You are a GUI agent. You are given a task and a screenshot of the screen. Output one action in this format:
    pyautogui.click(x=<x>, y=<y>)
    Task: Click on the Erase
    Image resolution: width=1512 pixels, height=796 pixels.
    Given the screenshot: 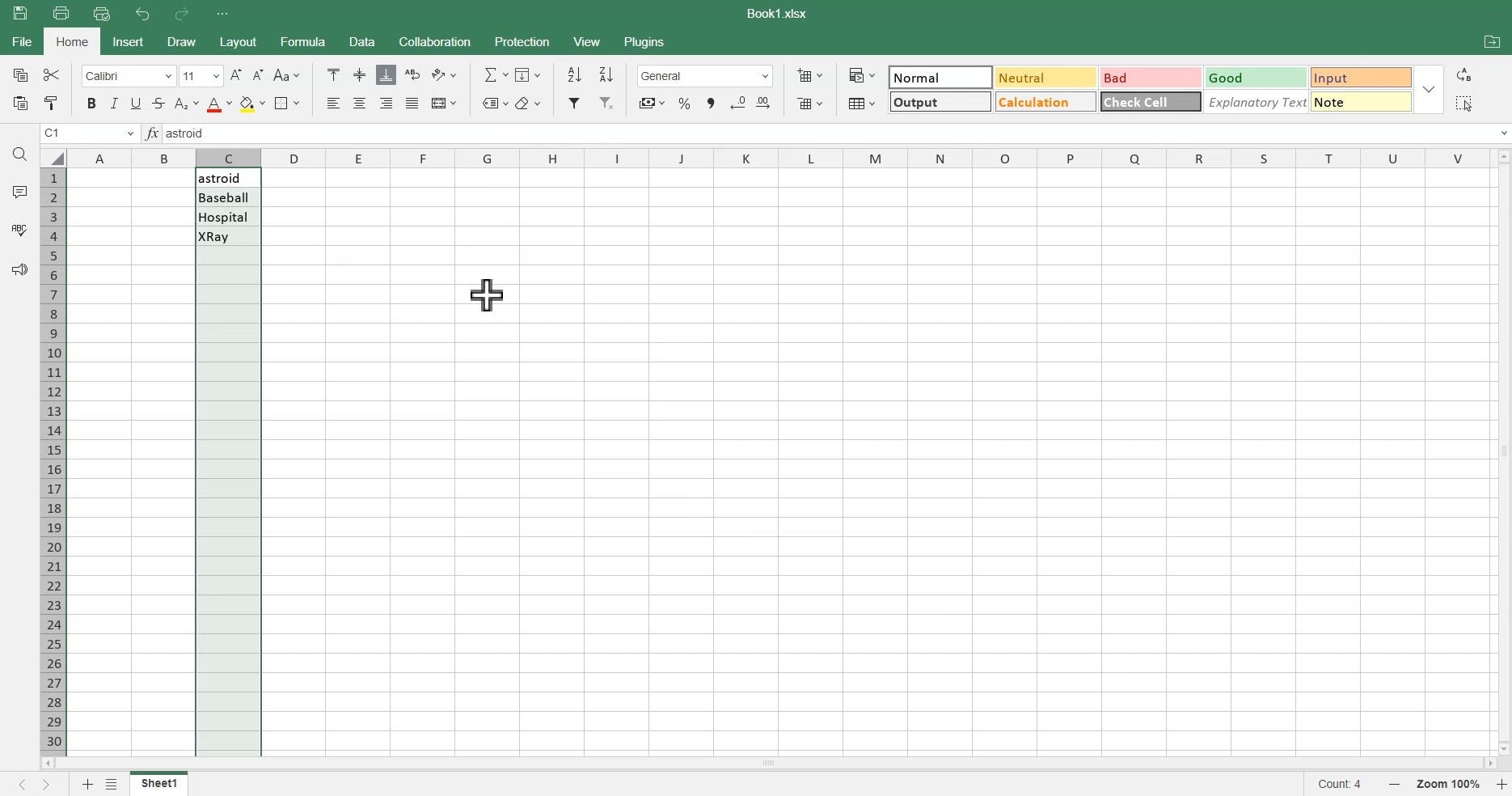 What is the action you would take?
    pyautogui.click(x=528, y=102)
    